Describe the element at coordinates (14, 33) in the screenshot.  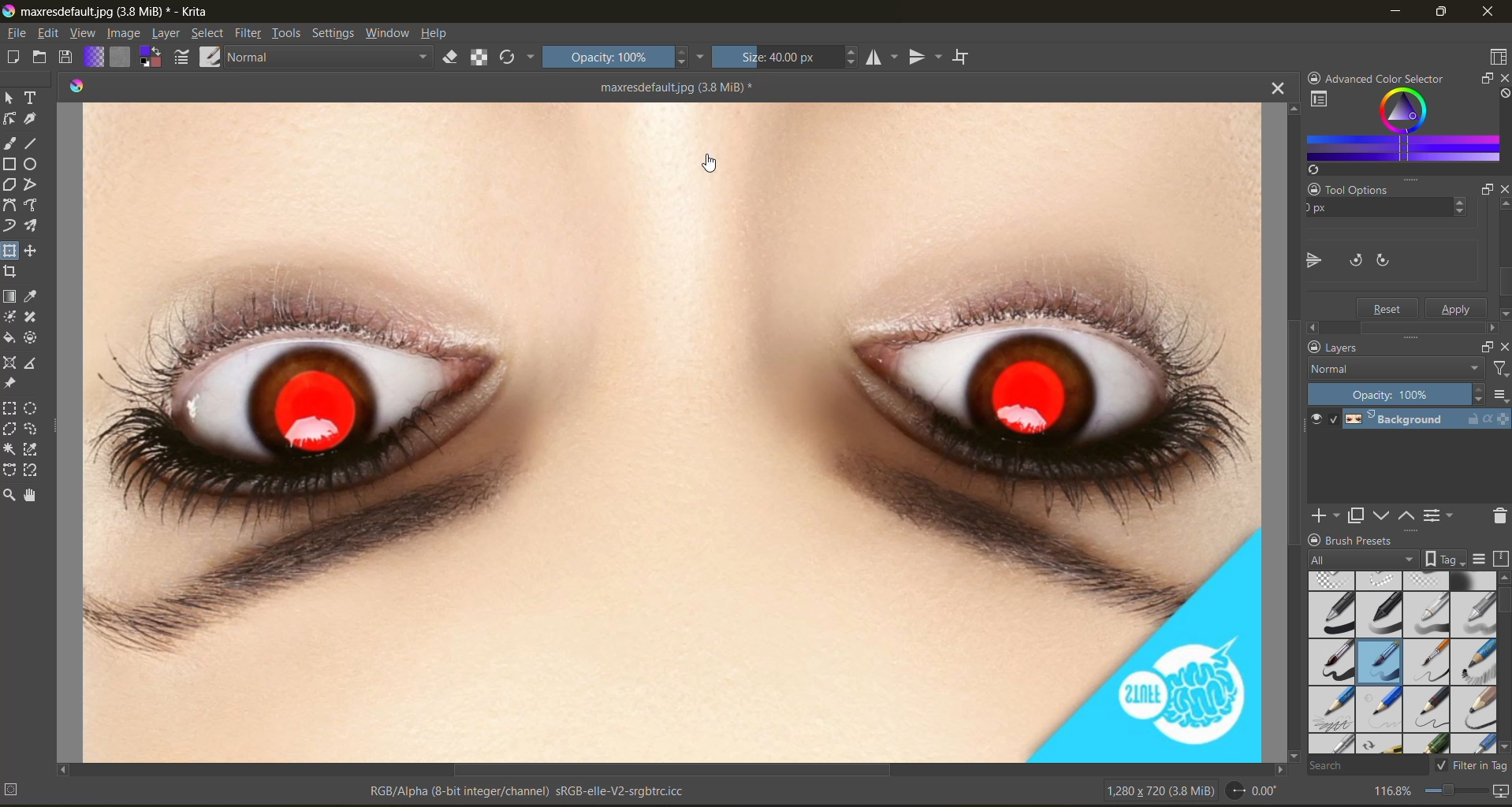
I see `file` at that location.